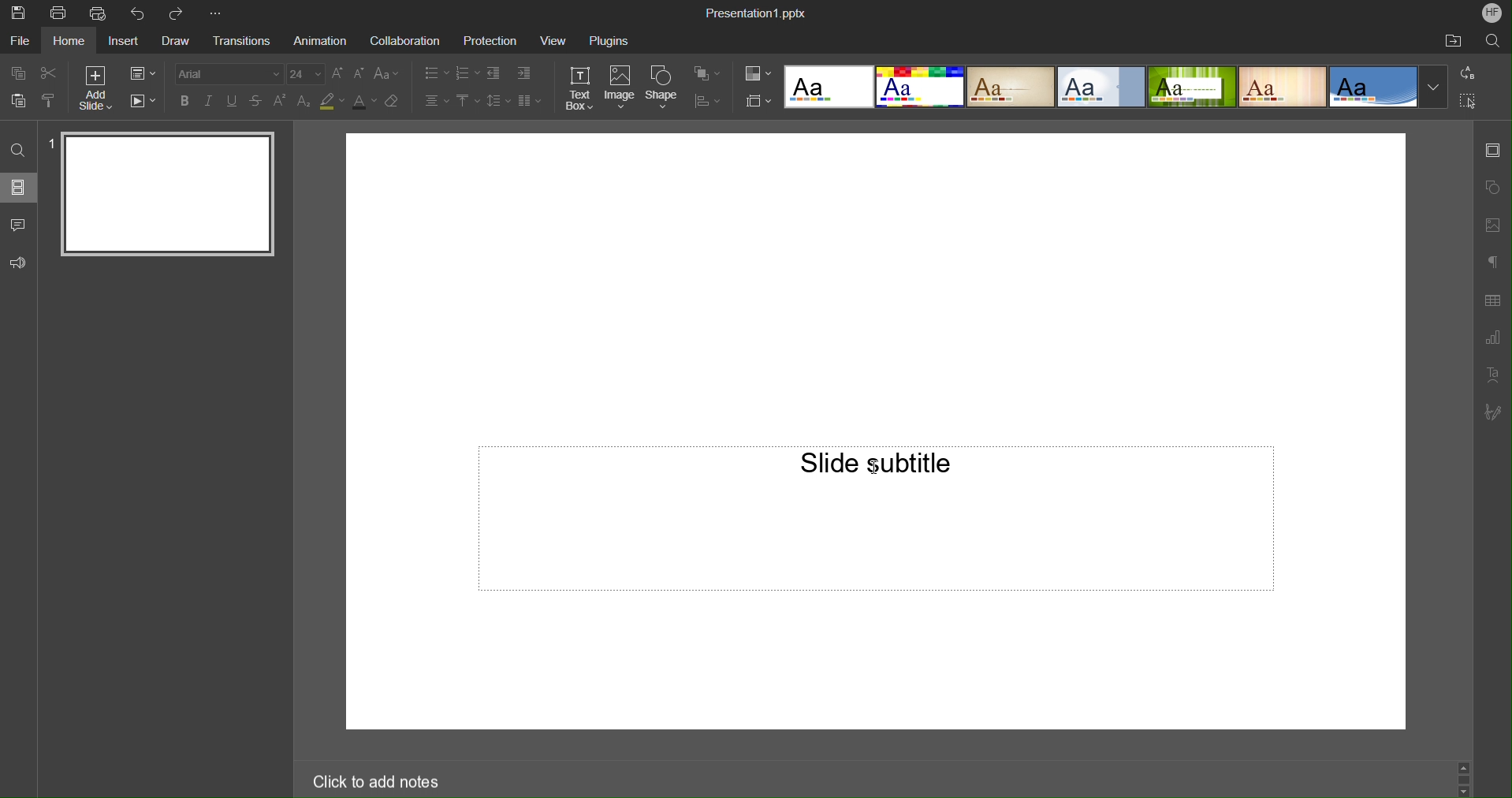 Image resolution: width=1512 pixels, height=798 pixels. Describe the element at coordinates (1463, 779) in the screenshot. I see `scrollbar` at that location.